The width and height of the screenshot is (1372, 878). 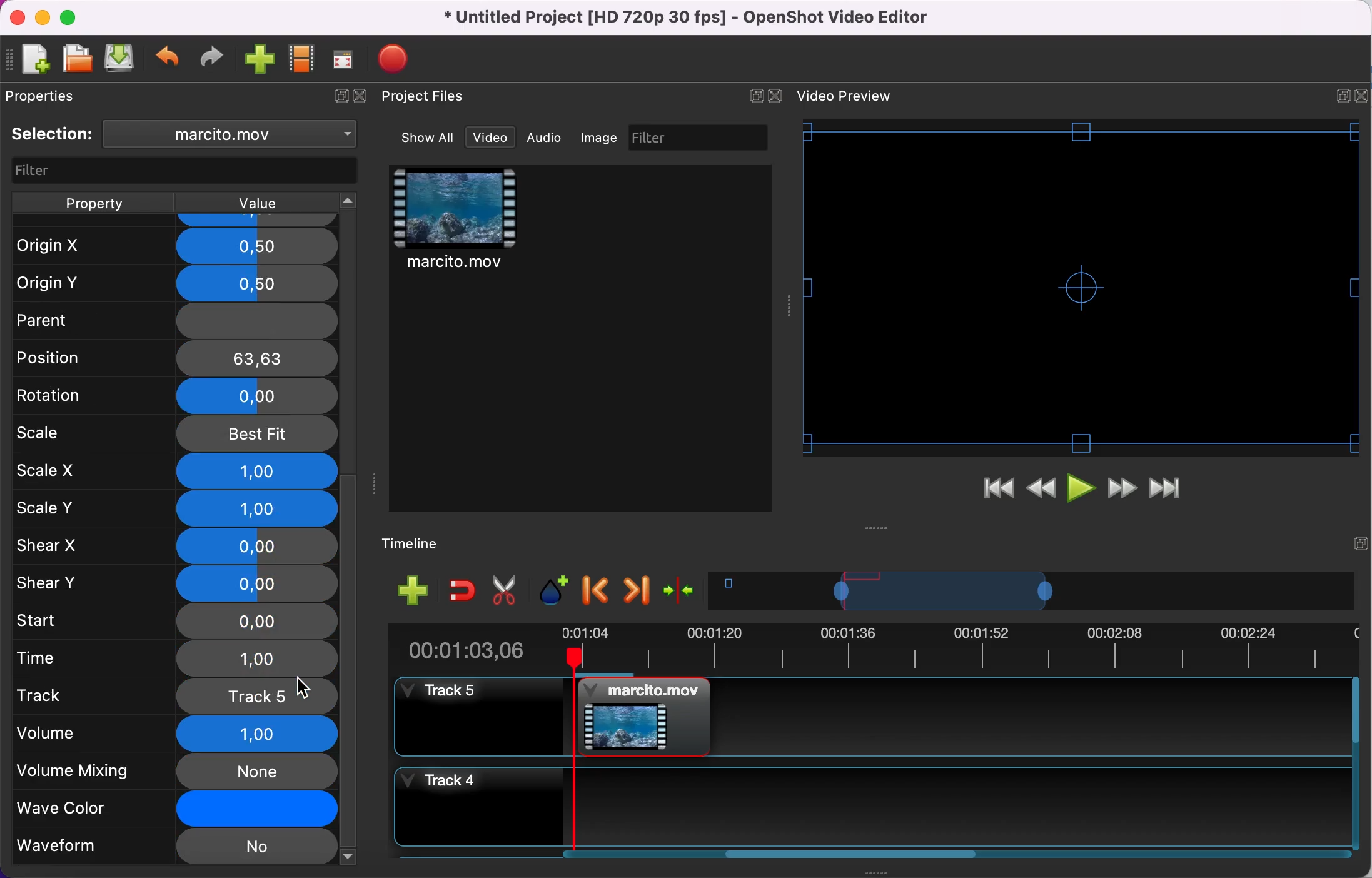 I want to click on clip duration, so click(x=864, y=648).